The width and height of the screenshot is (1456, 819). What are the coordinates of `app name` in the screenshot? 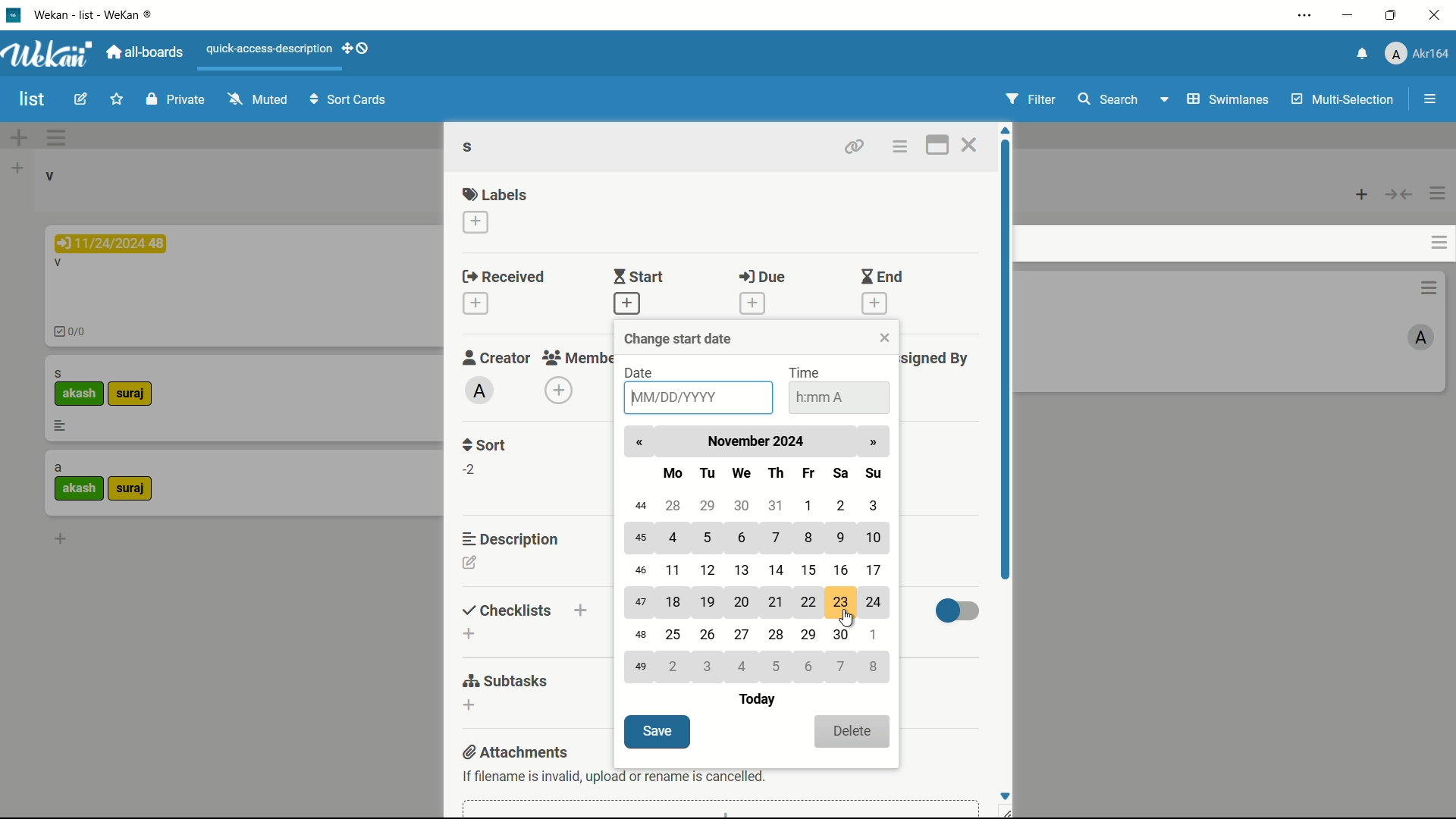 It's located at (102, 15).